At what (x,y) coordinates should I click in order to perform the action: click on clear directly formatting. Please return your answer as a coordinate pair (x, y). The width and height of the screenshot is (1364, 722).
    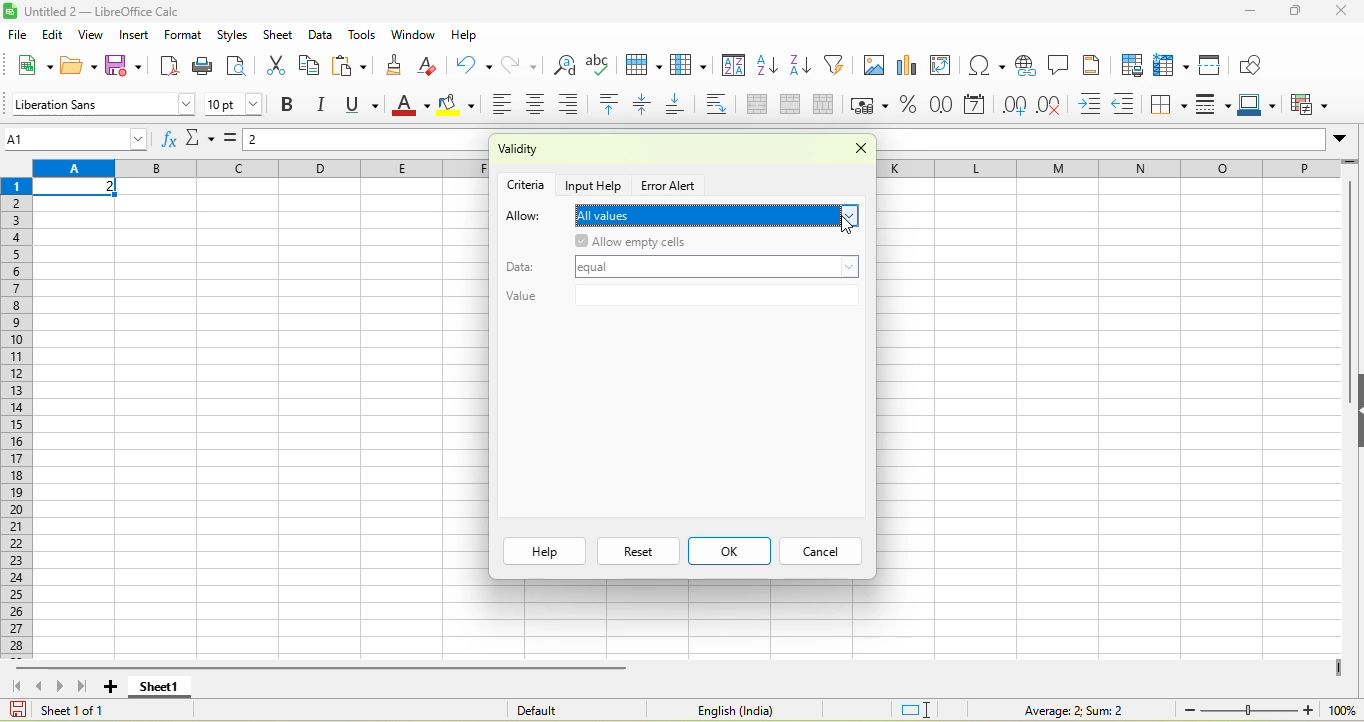
    Looking at the image, I should click on (432, 66).